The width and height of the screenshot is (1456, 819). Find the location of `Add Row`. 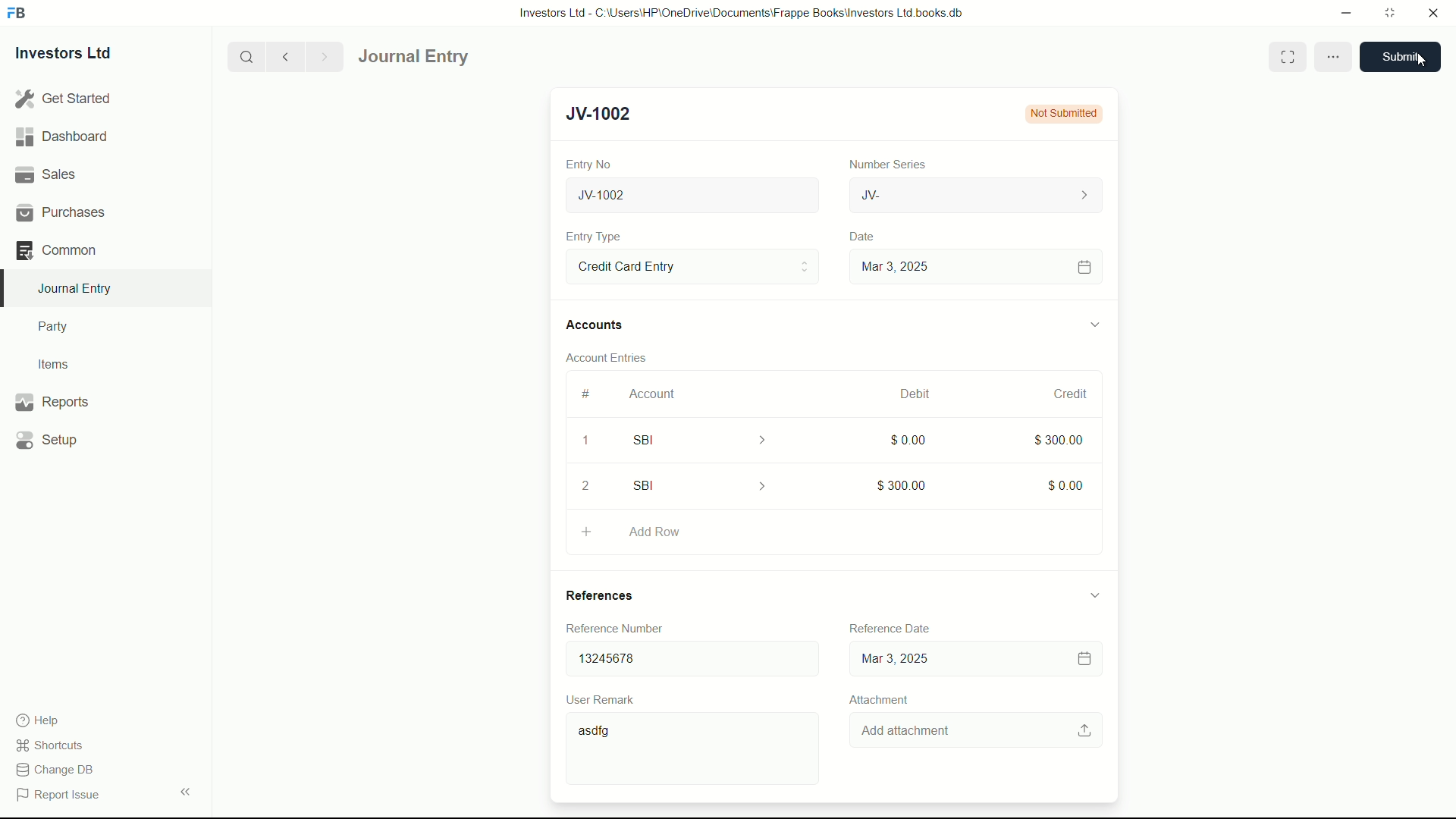

Add Row is located at coordinates (833, 529).